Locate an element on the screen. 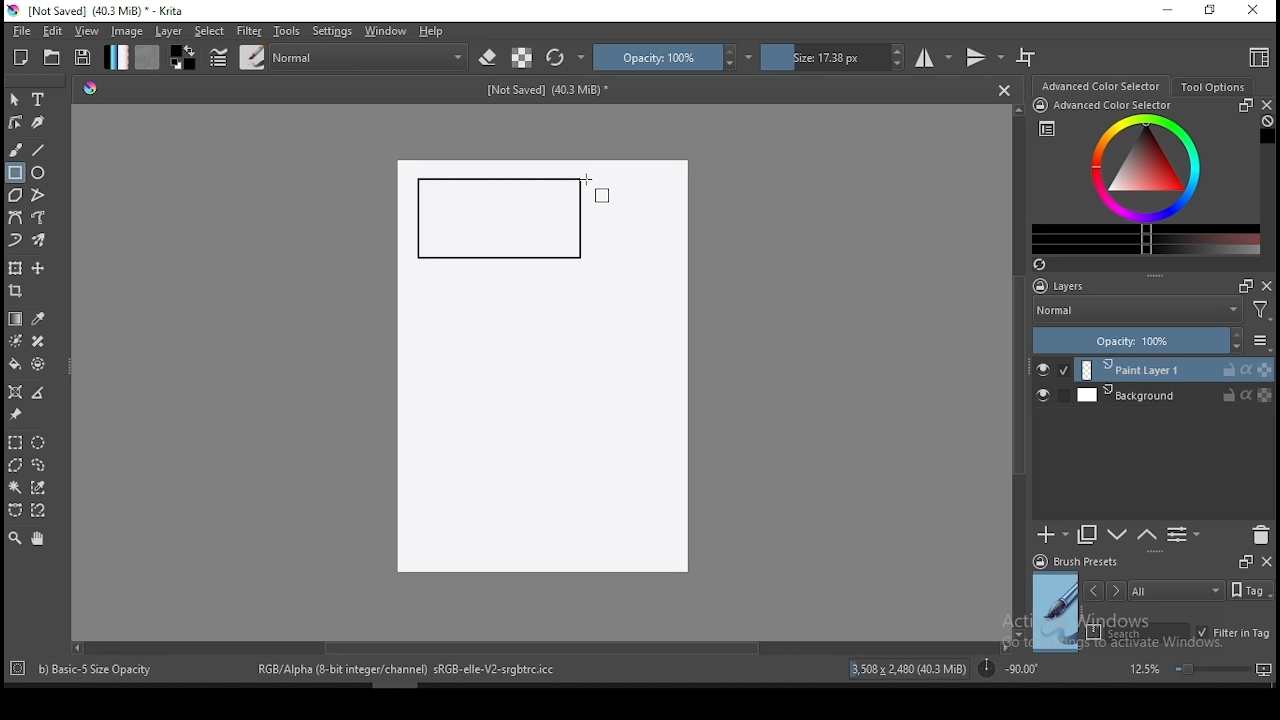 The height and width of the screenshot is (720, 1280). new is located at coordinates (21, 57).